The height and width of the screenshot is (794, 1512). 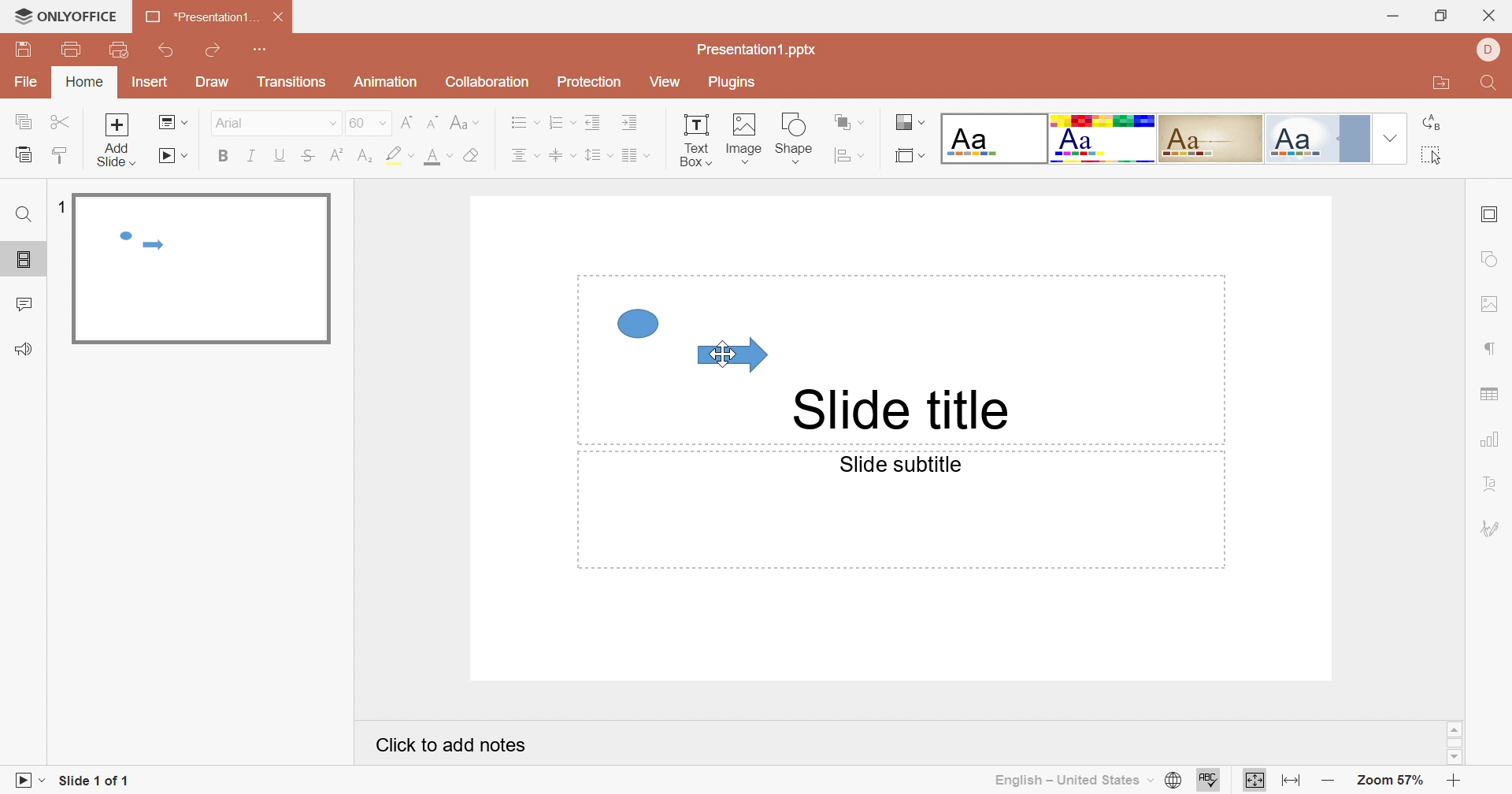 I want to click on 60, so click(x=365, y=124).